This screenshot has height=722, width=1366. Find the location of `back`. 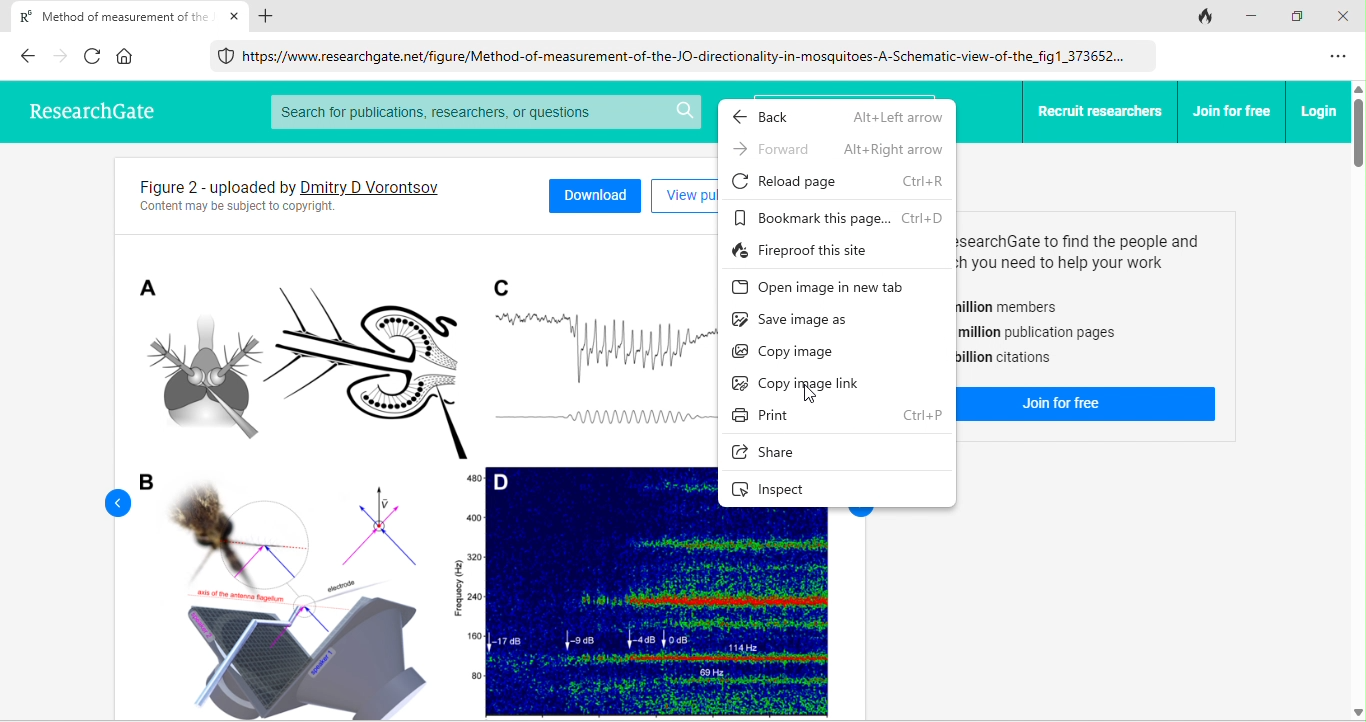

back is located at coordinates (27, 55).